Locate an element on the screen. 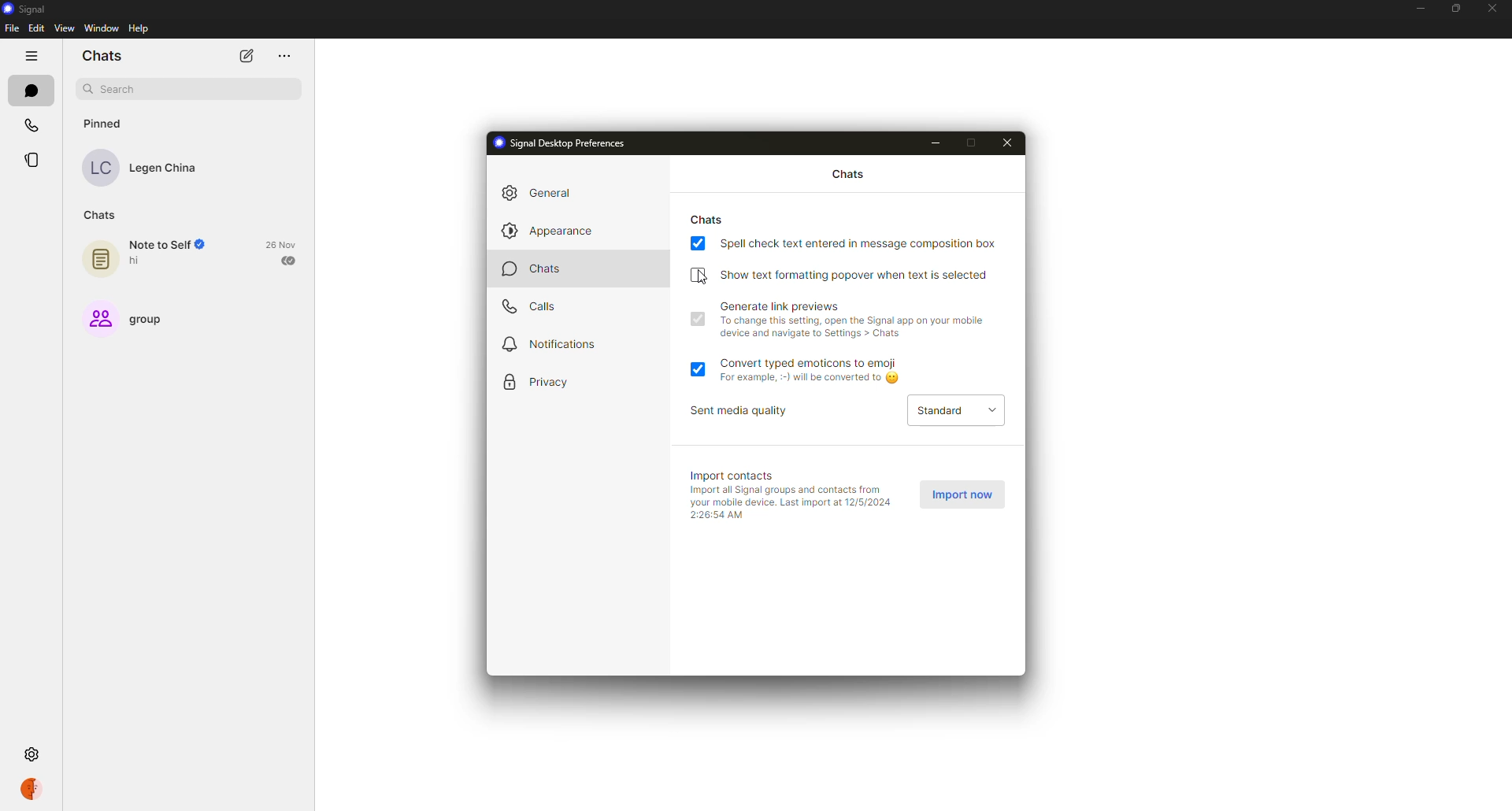 The image size is (1512, 811). enabled is located at coordinates (699, 368).